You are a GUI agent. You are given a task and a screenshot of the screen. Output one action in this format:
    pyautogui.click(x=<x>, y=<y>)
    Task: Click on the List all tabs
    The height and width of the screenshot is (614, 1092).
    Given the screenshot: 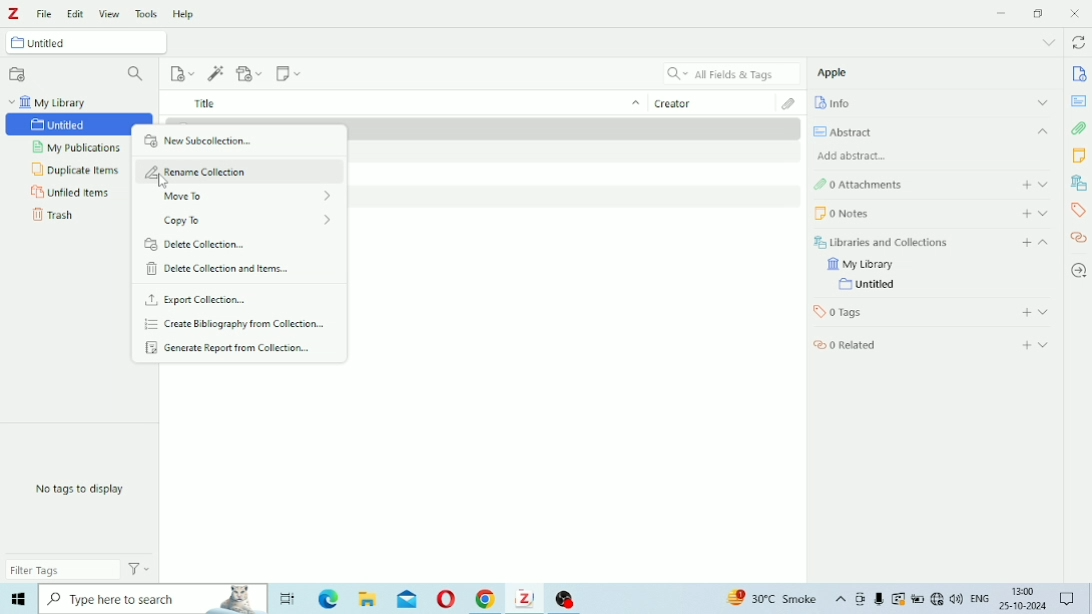 What is the action you would take?
    pyautogui.click(x=1050, y=41)
    